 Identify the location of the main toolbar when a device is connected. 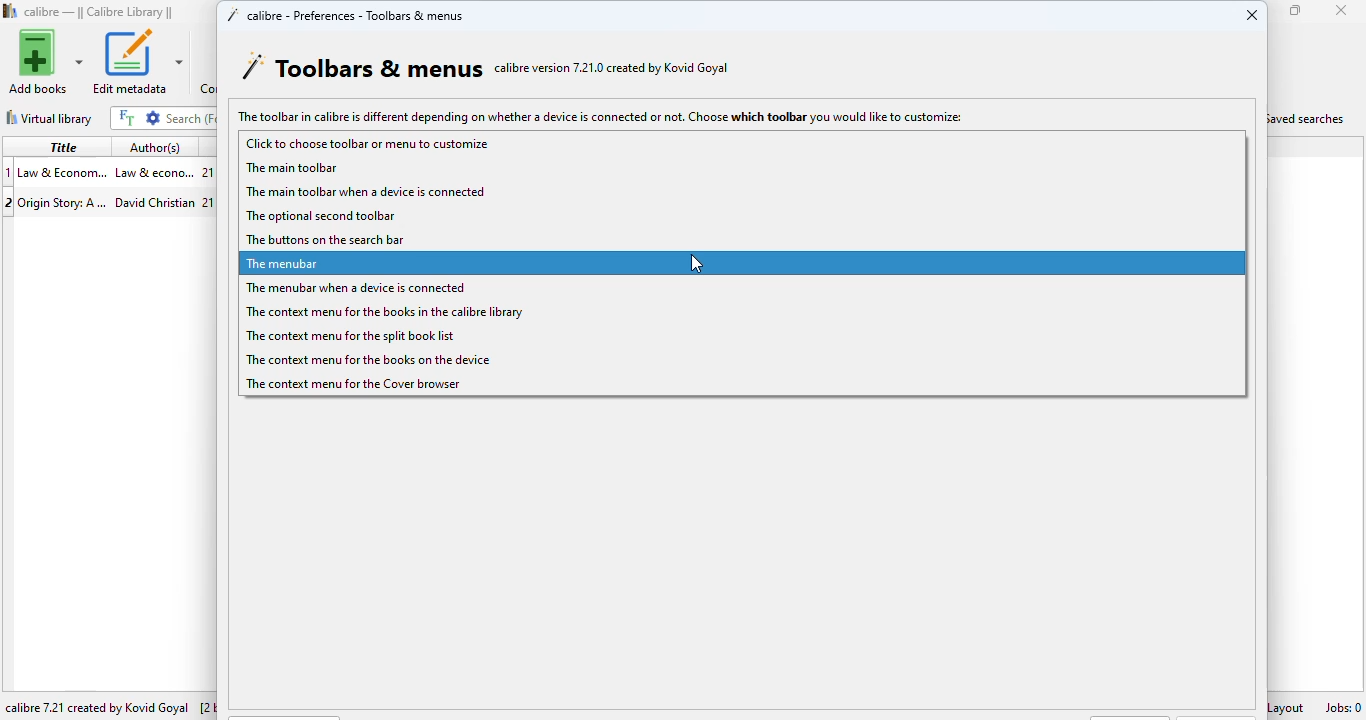
(368, 192).